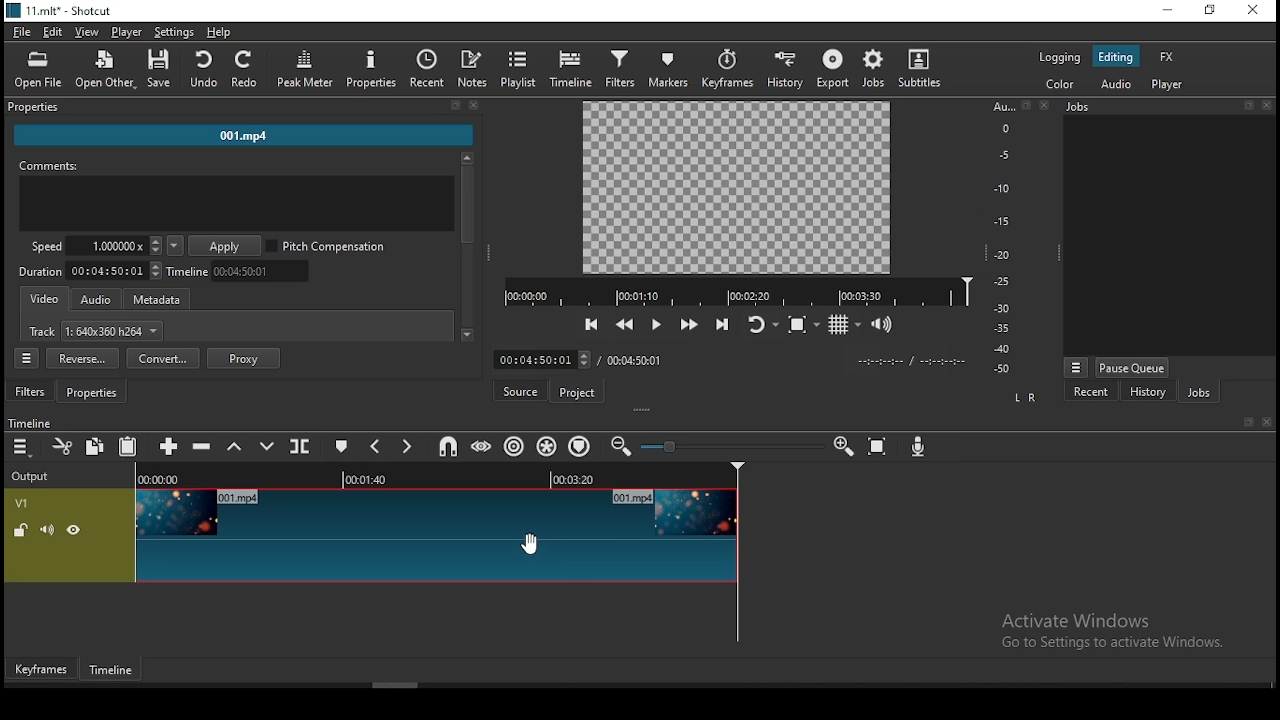 This screenshot has height=720, width=1280. I want to click on editing, so click(1115, 56).